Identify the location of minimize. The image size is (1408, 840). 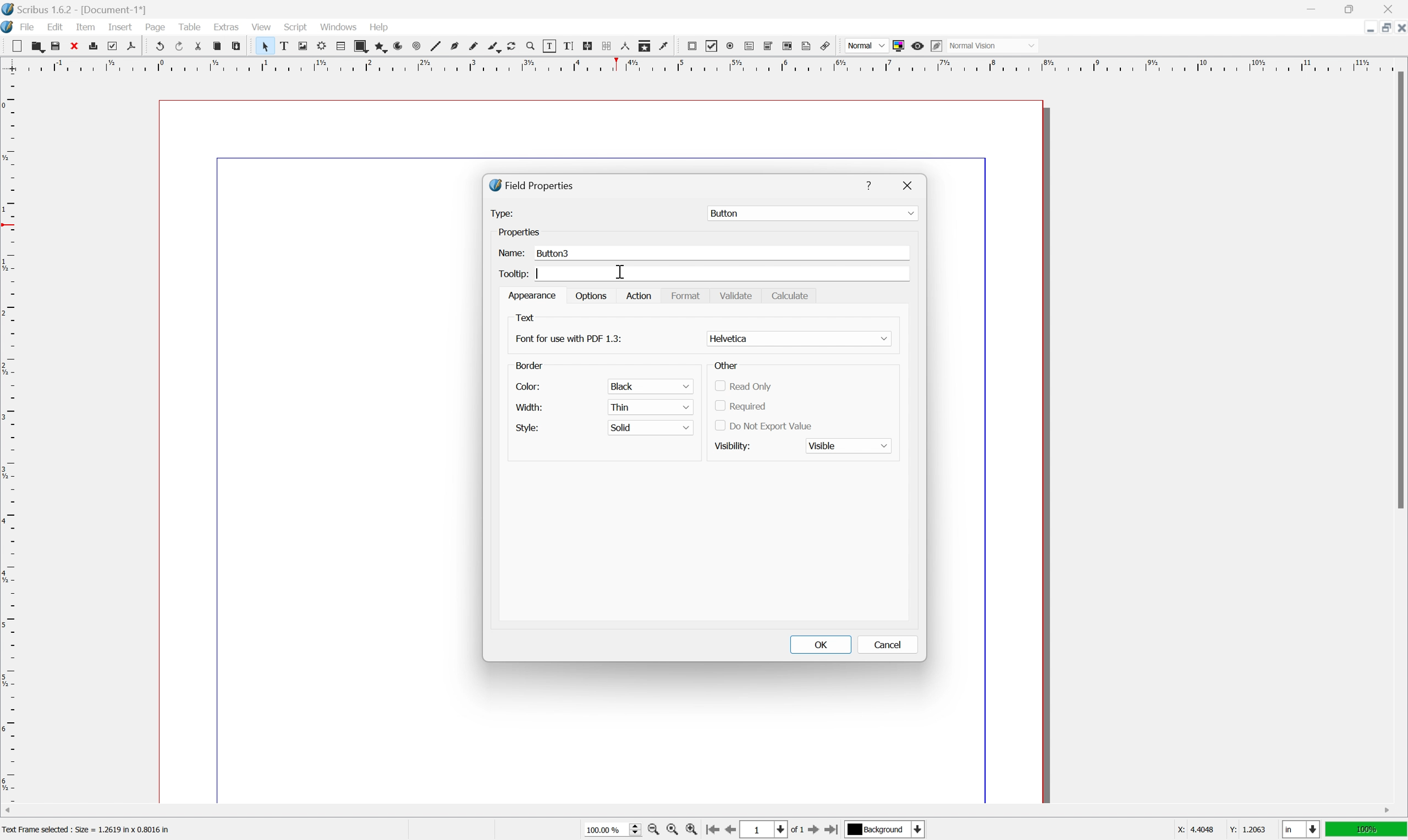
(1365, 27).